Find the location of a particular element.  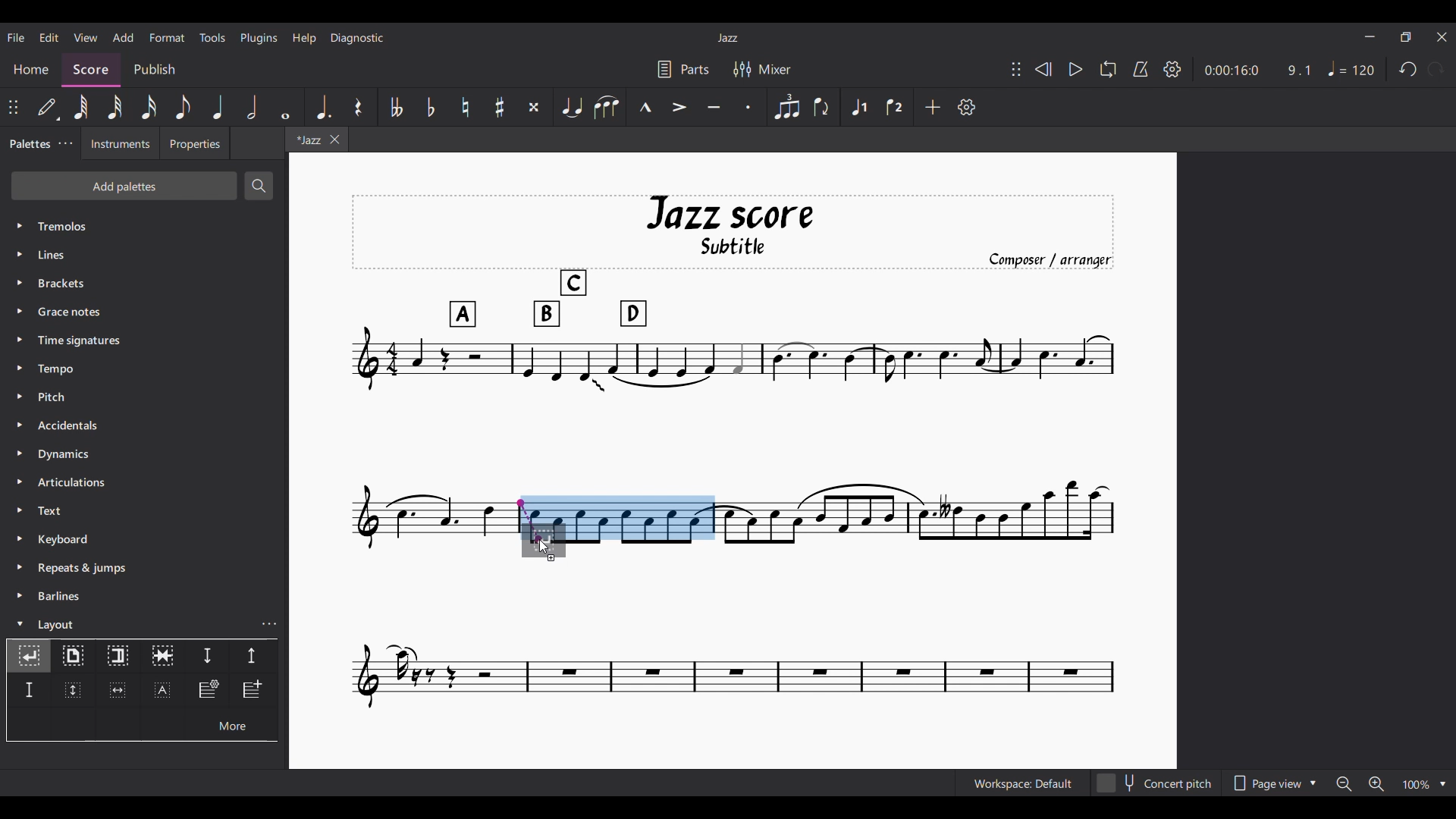

Concert pitch toggle is located at coordinates (1156, 783).